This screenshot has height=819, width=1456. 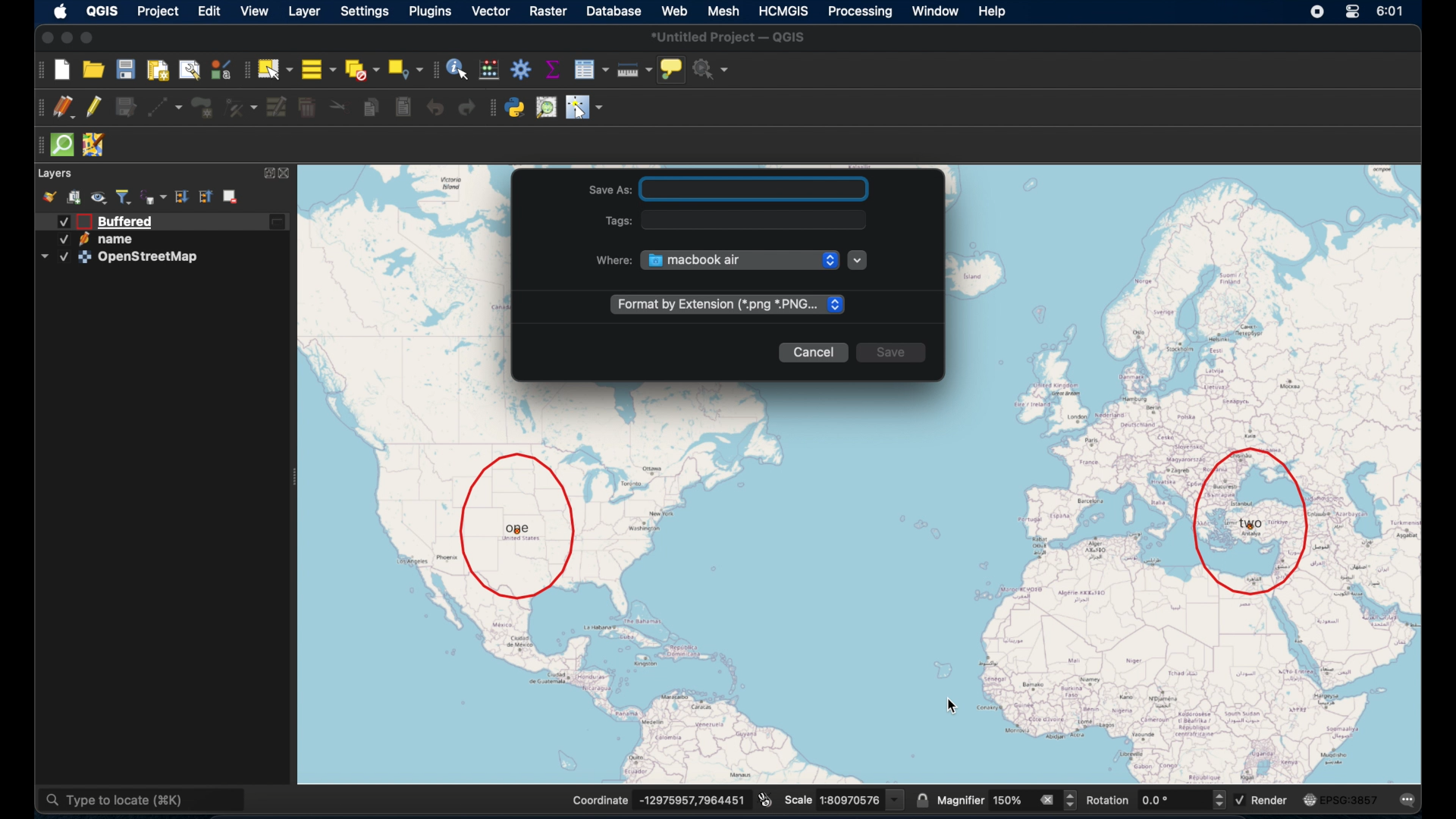 What do you see at coordinates (39, 70) in the screenshot?
I see `project toolbar` at bounding box center [39, 70].